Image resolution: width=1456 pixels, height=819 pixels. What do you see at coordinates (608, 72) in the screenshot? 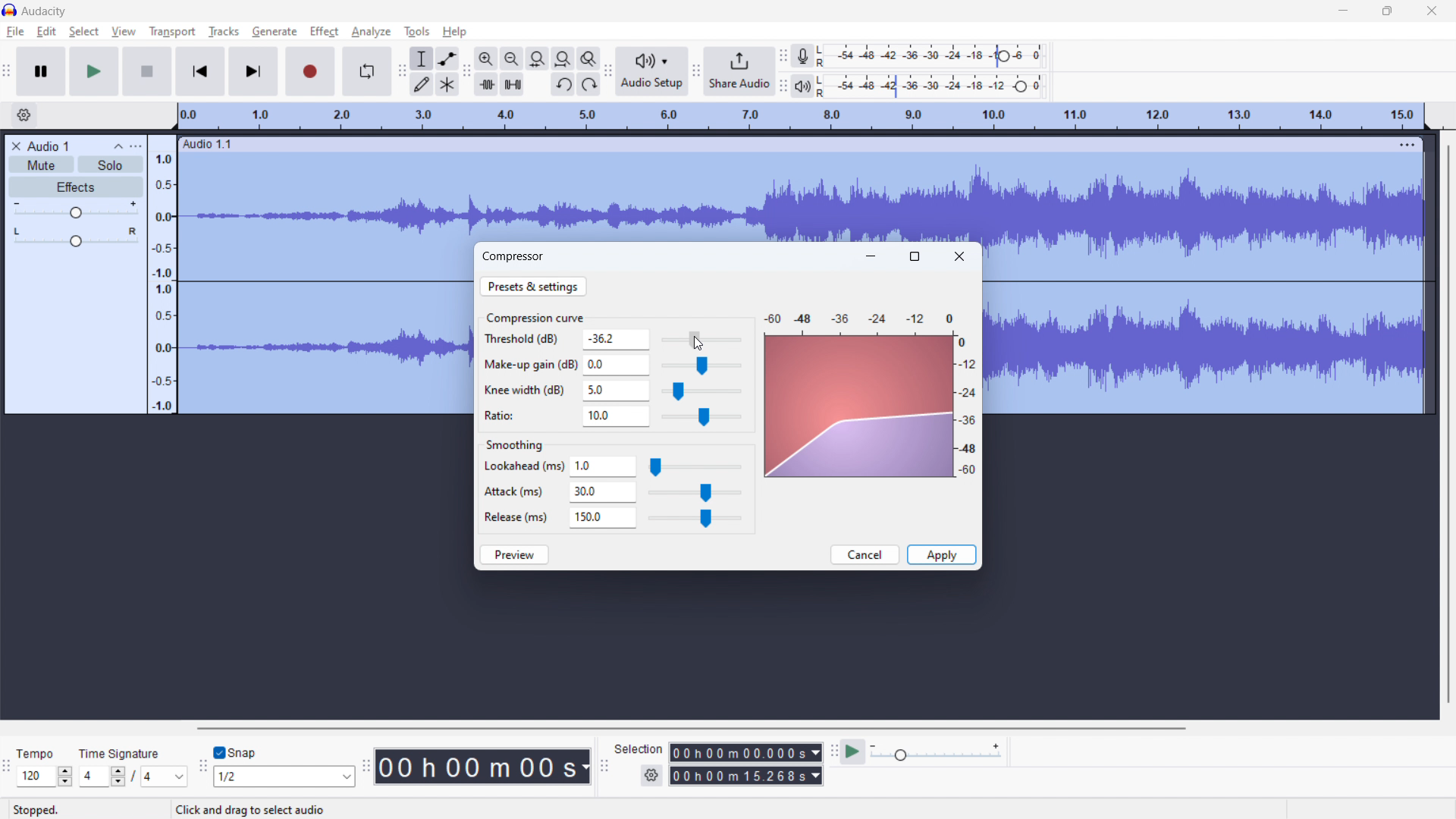
I see `Audio setup toolbar` at bounding box center [608, 72].